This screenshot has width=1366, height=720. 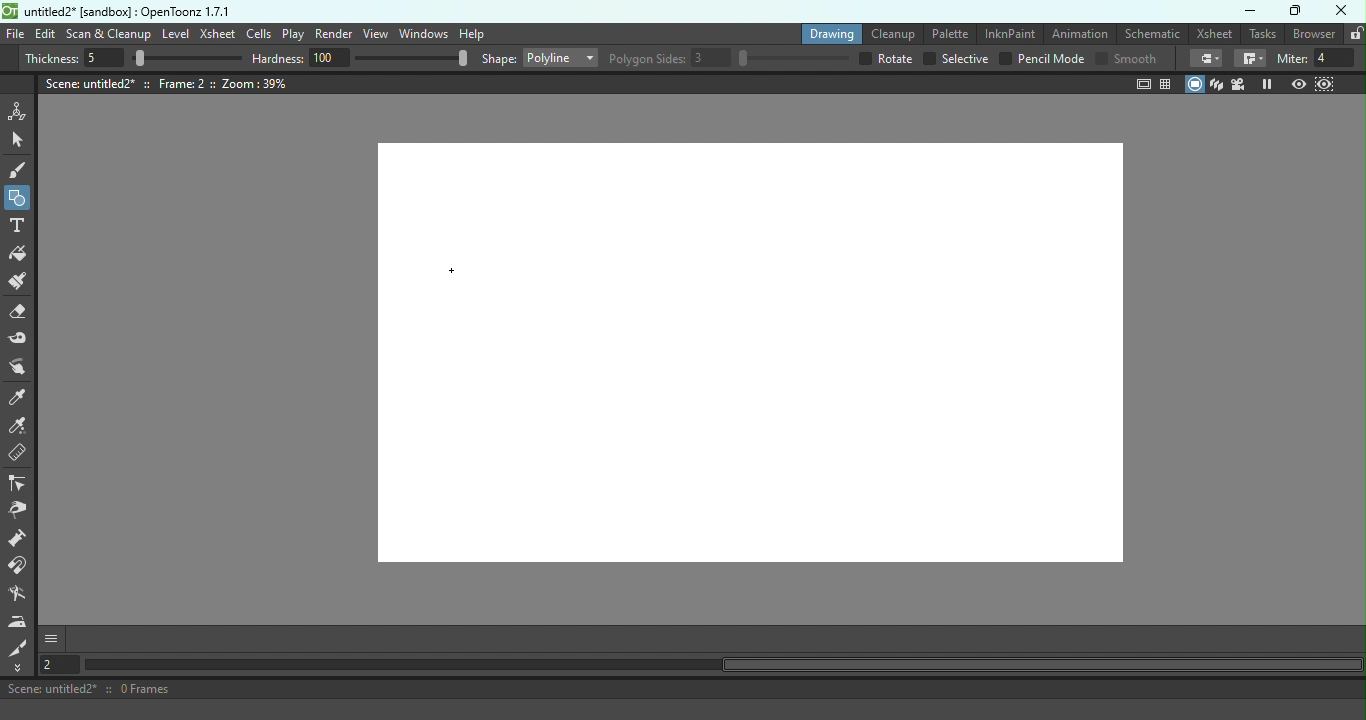 I want to click on Set the current frame, so click(x=58, y=666).